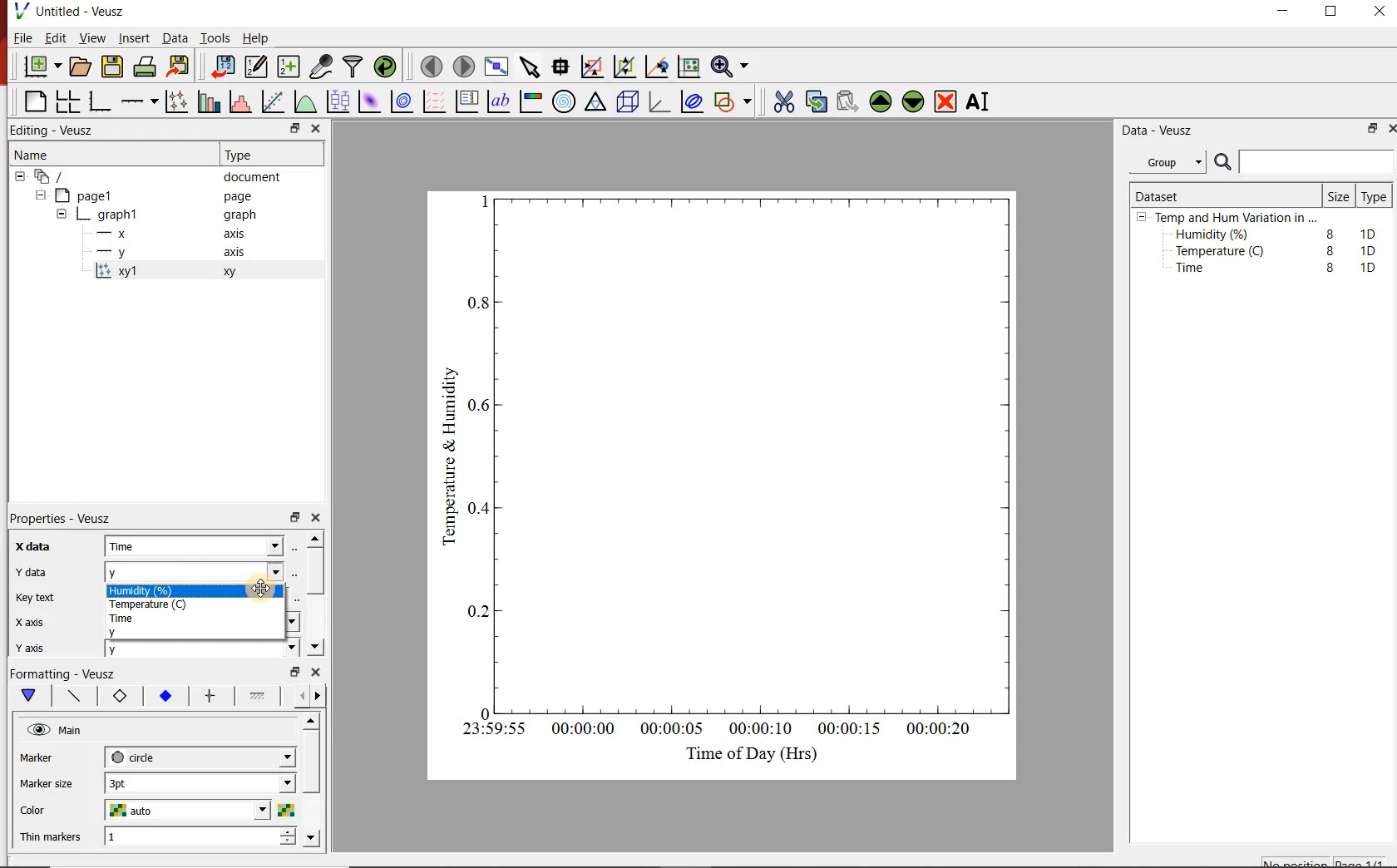 The width and height of the screenshot is (1397, 868). What do you see at coordinates (146, 547) in the screenshot?
I see `Time` at bounding box center [146, 547].